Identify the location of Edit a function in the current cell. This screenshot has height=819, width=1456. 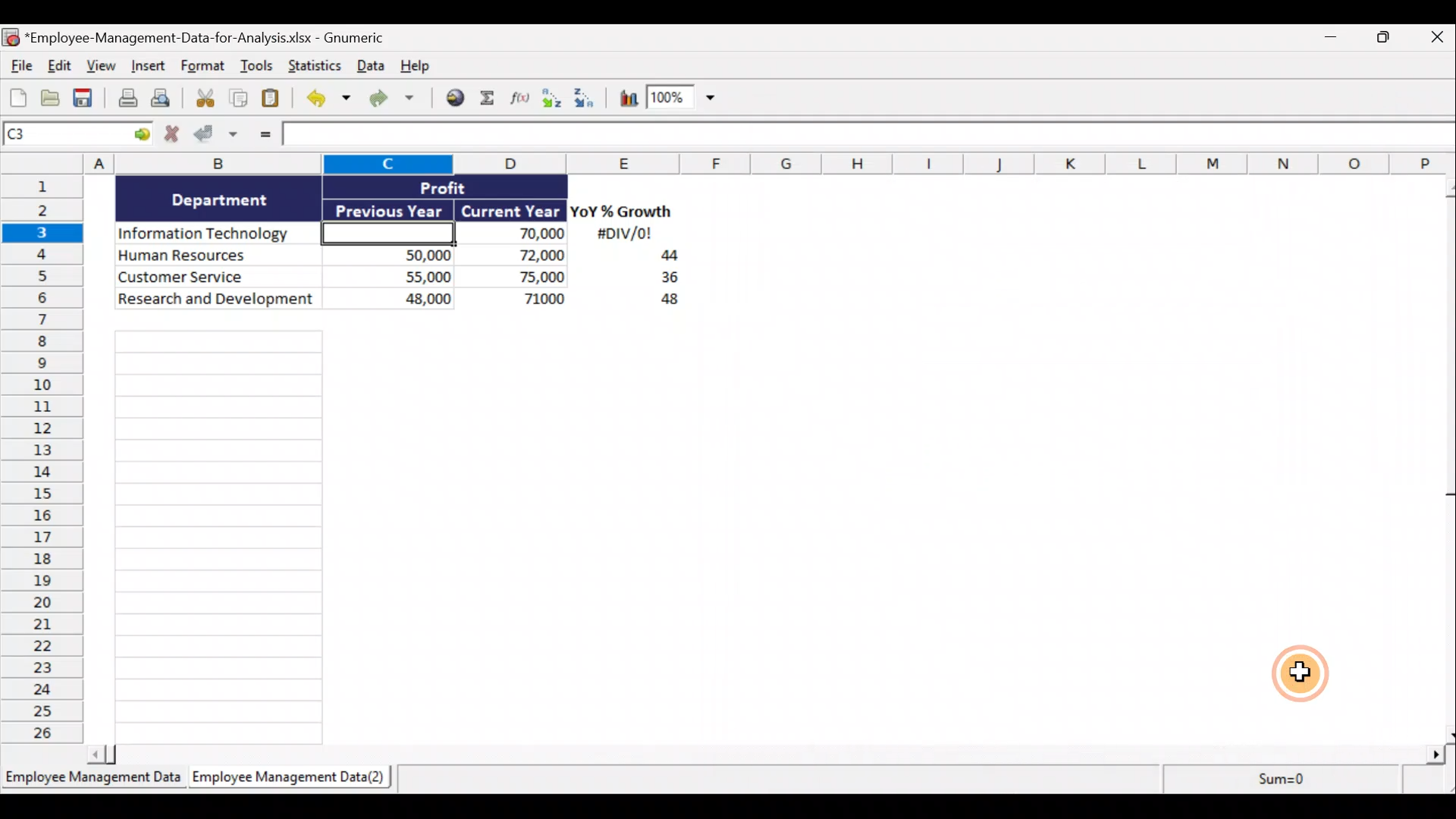
(521, 97).